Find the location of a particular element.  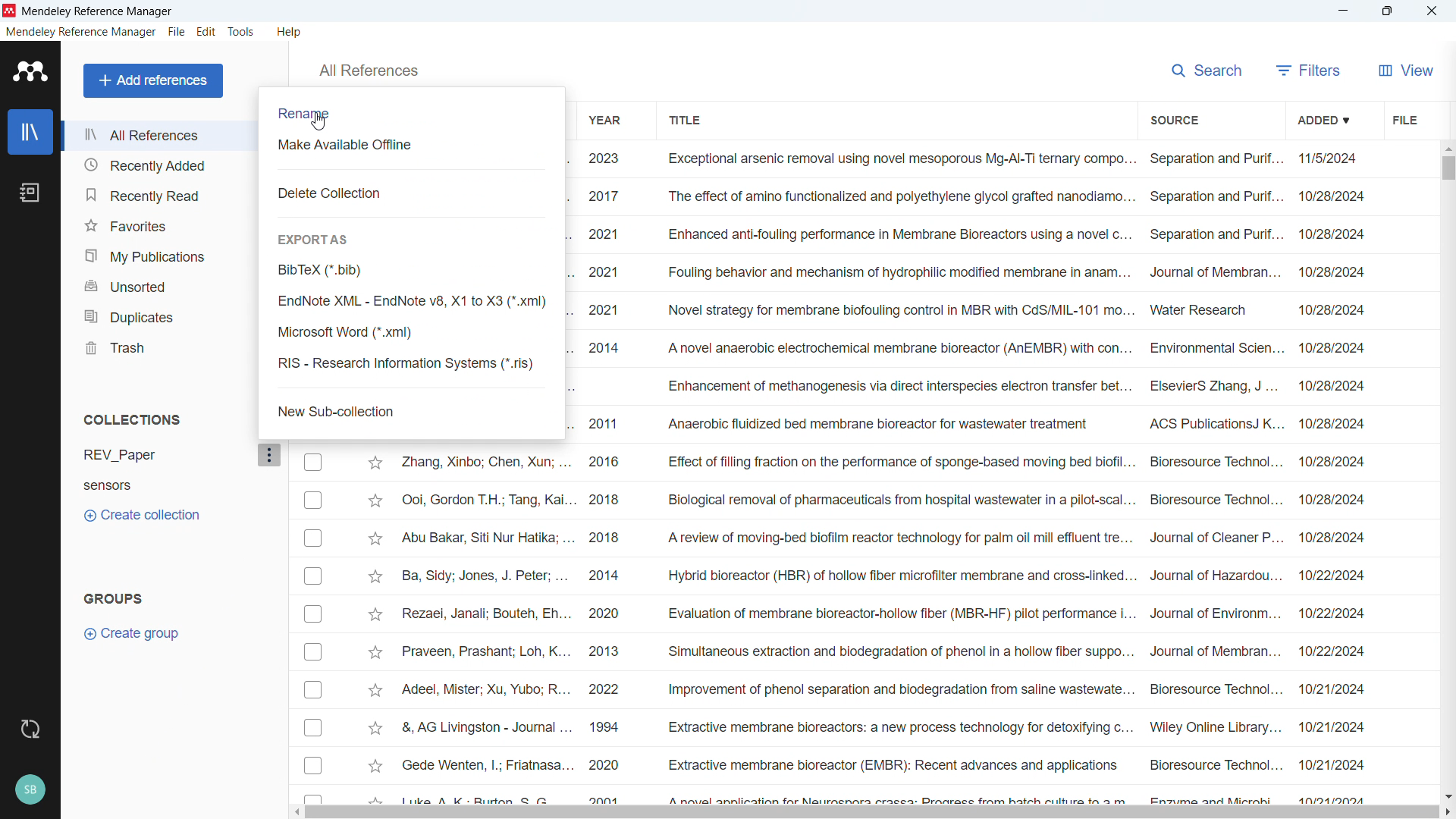

Star mark respective publication is located at coordinates (375, 500).